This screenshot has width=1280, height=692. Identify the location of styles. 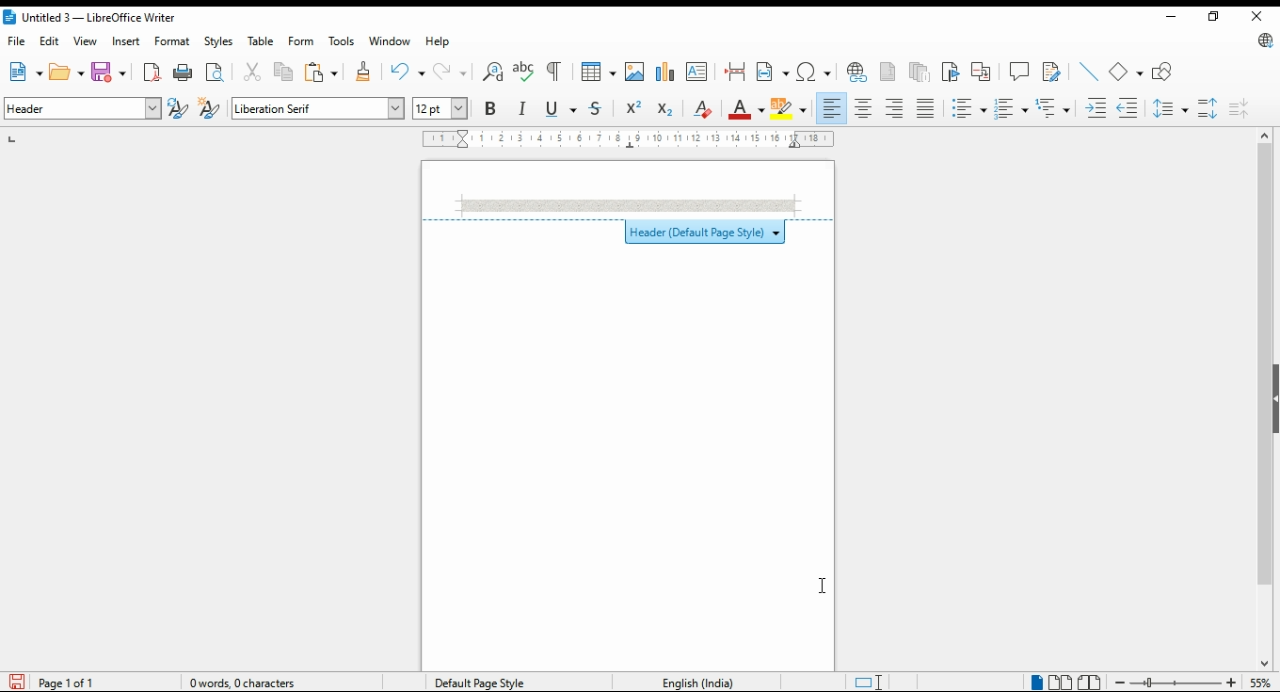
(217, 42).